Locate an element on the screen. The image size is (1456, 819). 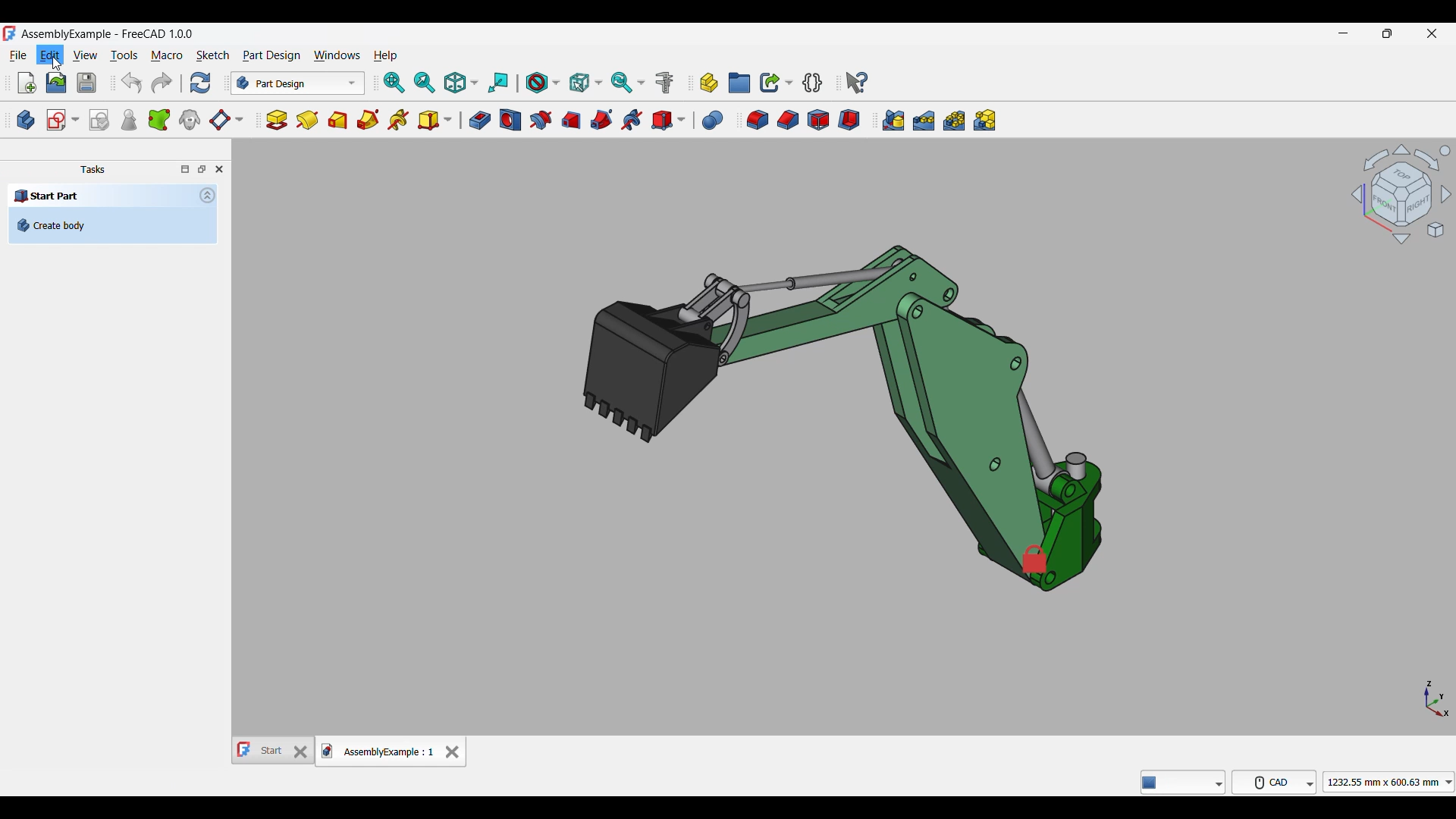
Mirrored is located at coordinates (893, 121).